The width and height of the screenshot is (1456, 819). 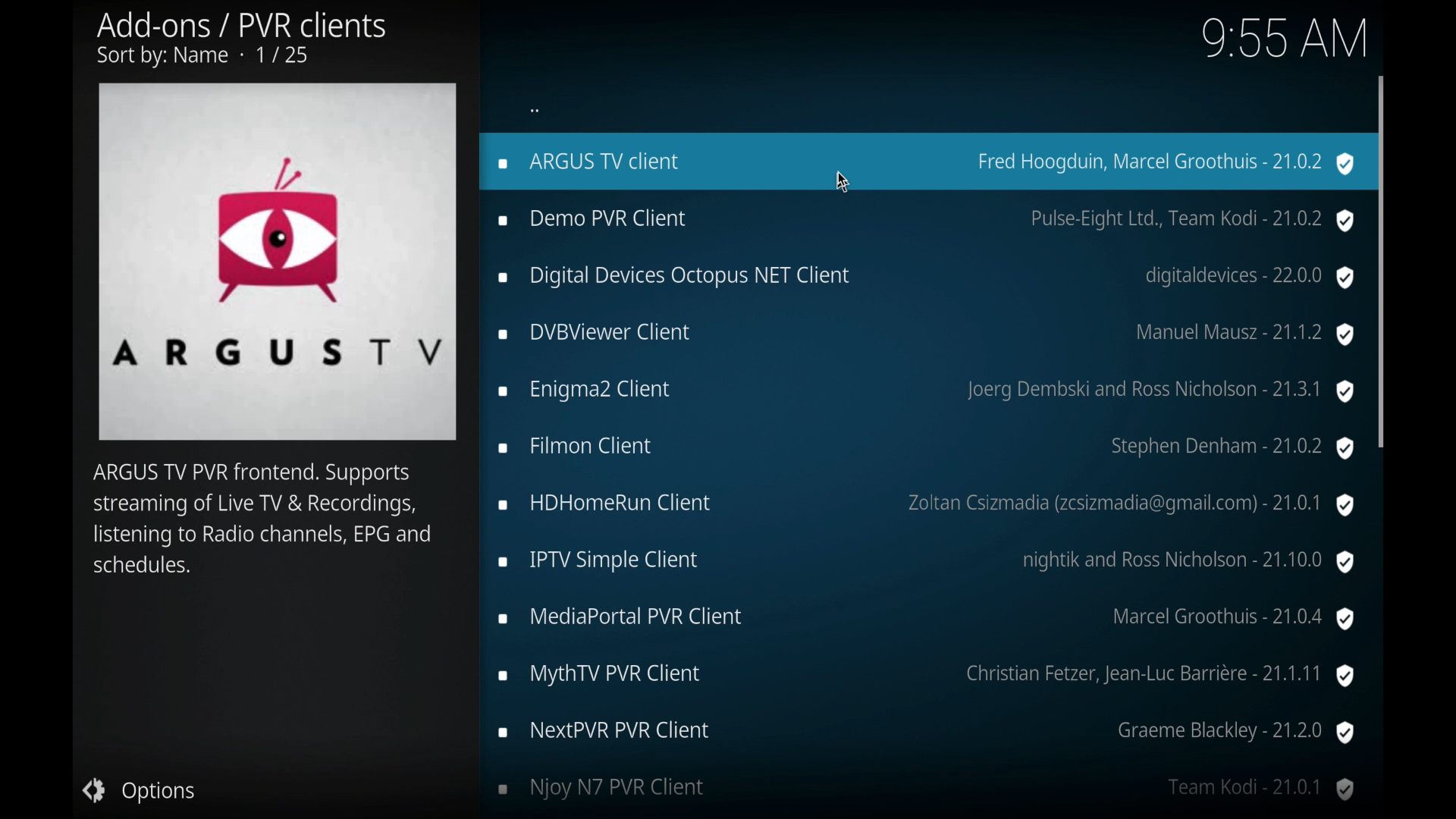 What do you see at coordinates (928, 506) in the screenshot?
I see `hdhomerun` at bounding box center [928, 506].